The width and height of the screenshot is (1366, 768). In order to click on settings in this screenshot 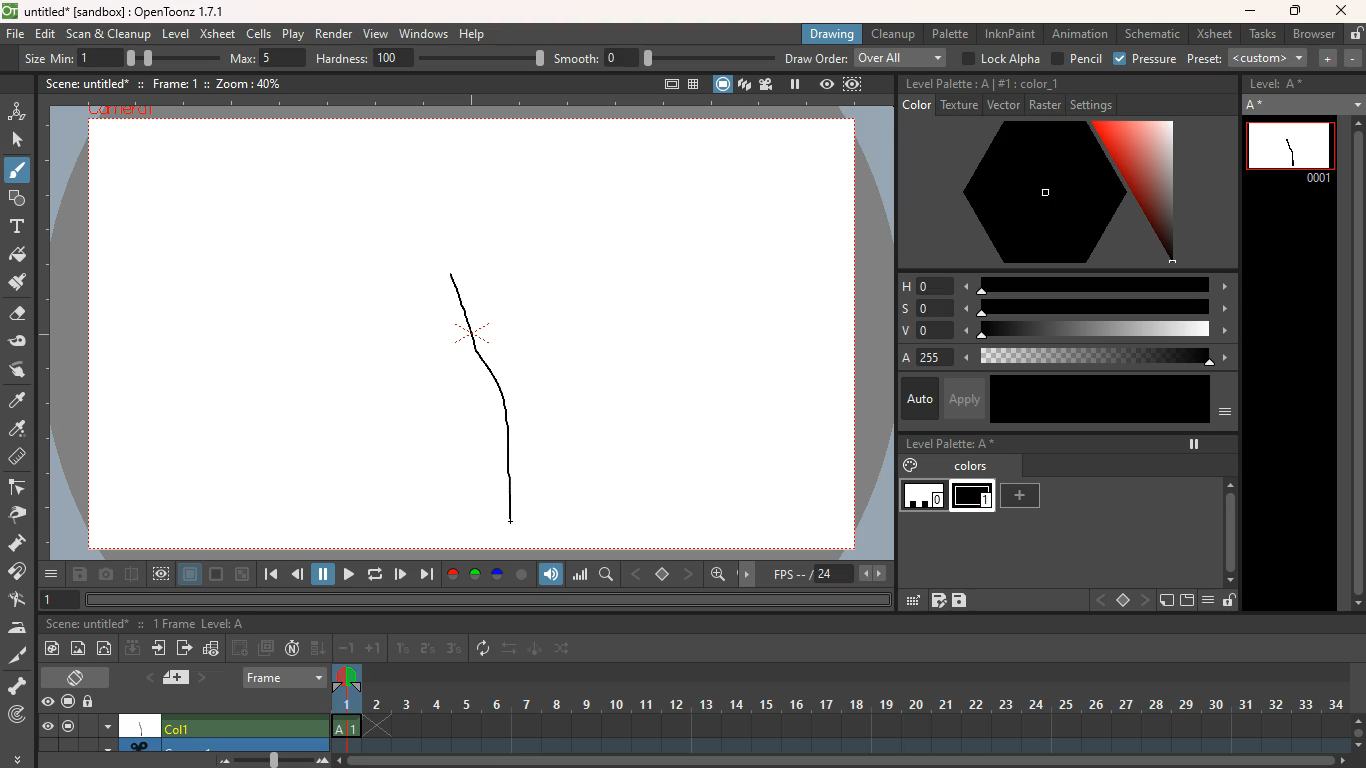, I will do `click(1095, 105)`.